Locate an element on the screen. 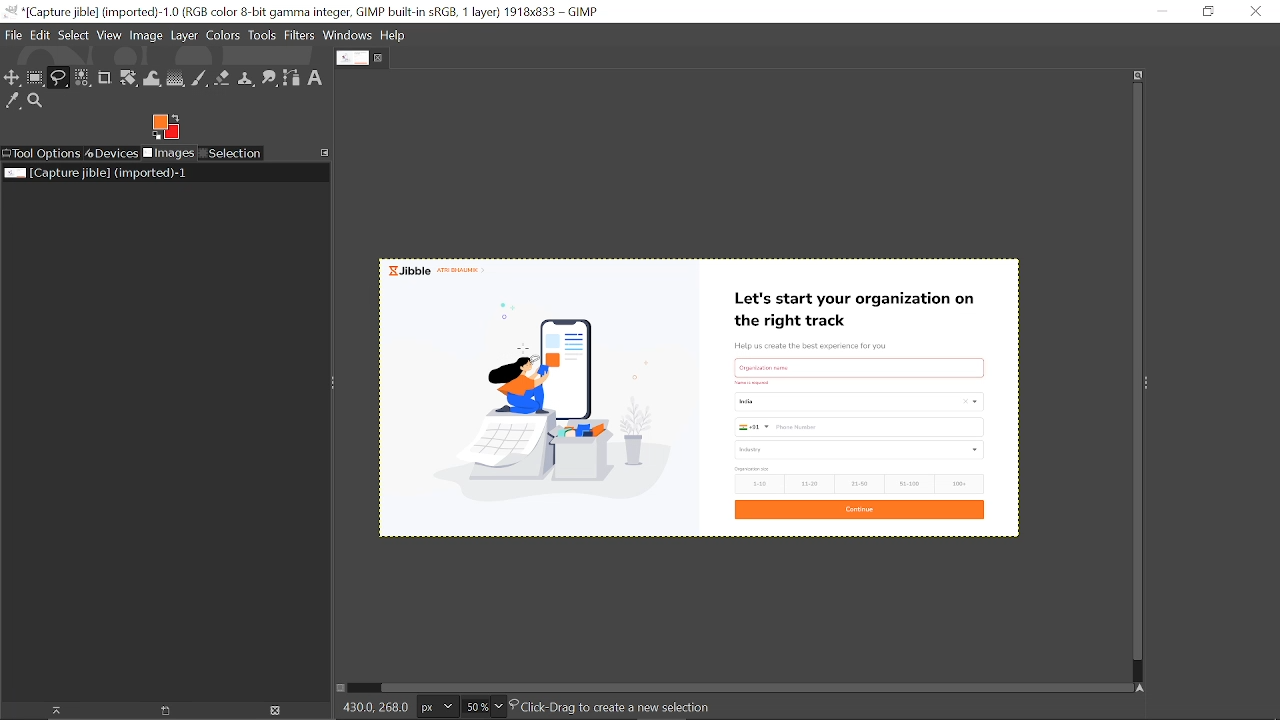 The width and height of the screenshot is (1280, 720). Windows is located at coordinates (349, 37).